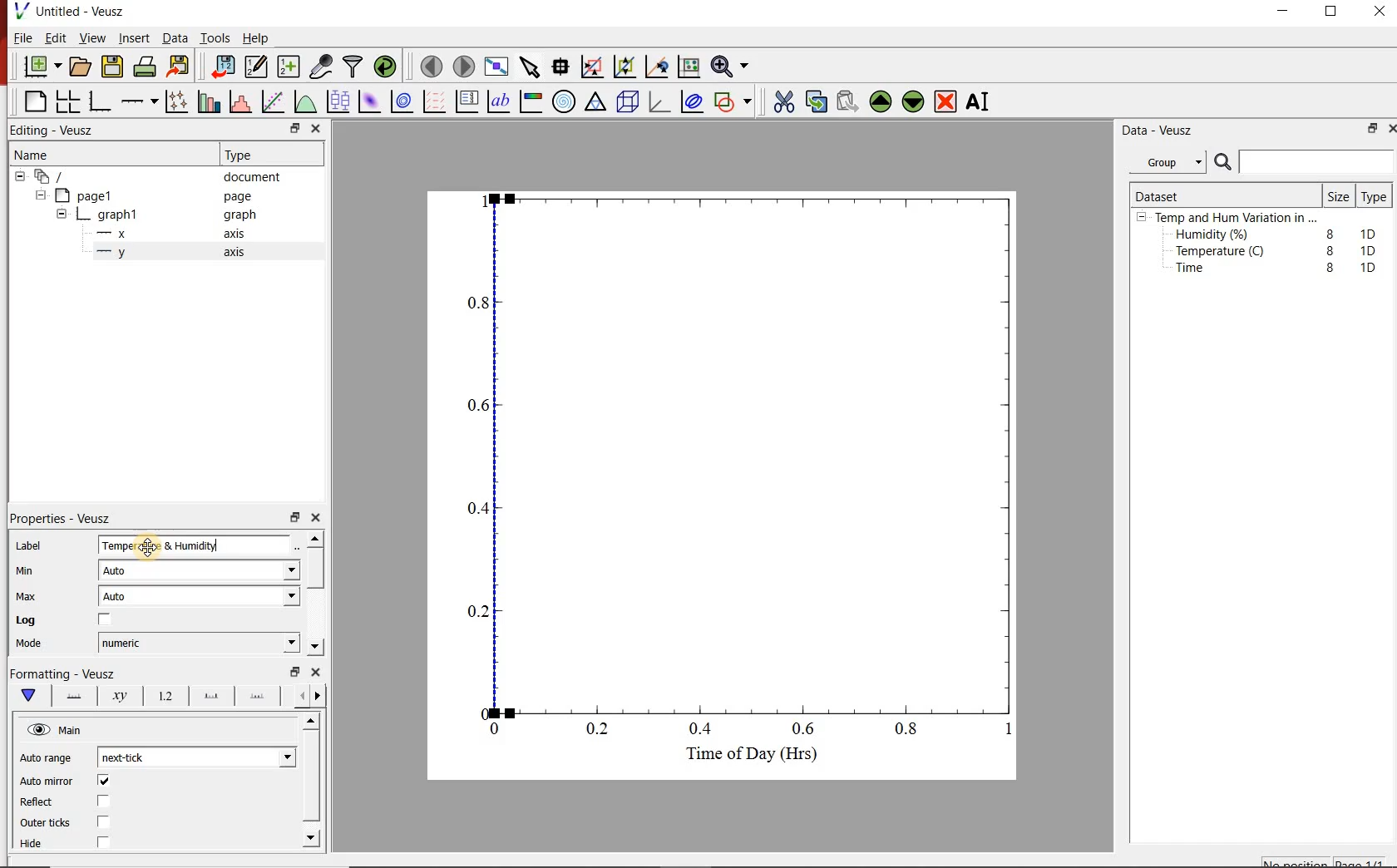 The width and height of the screenshot is (1397, 868). Describe the element at coordinates (916, 101) in the screenshot. I see `Move the selected widget down` at that location.